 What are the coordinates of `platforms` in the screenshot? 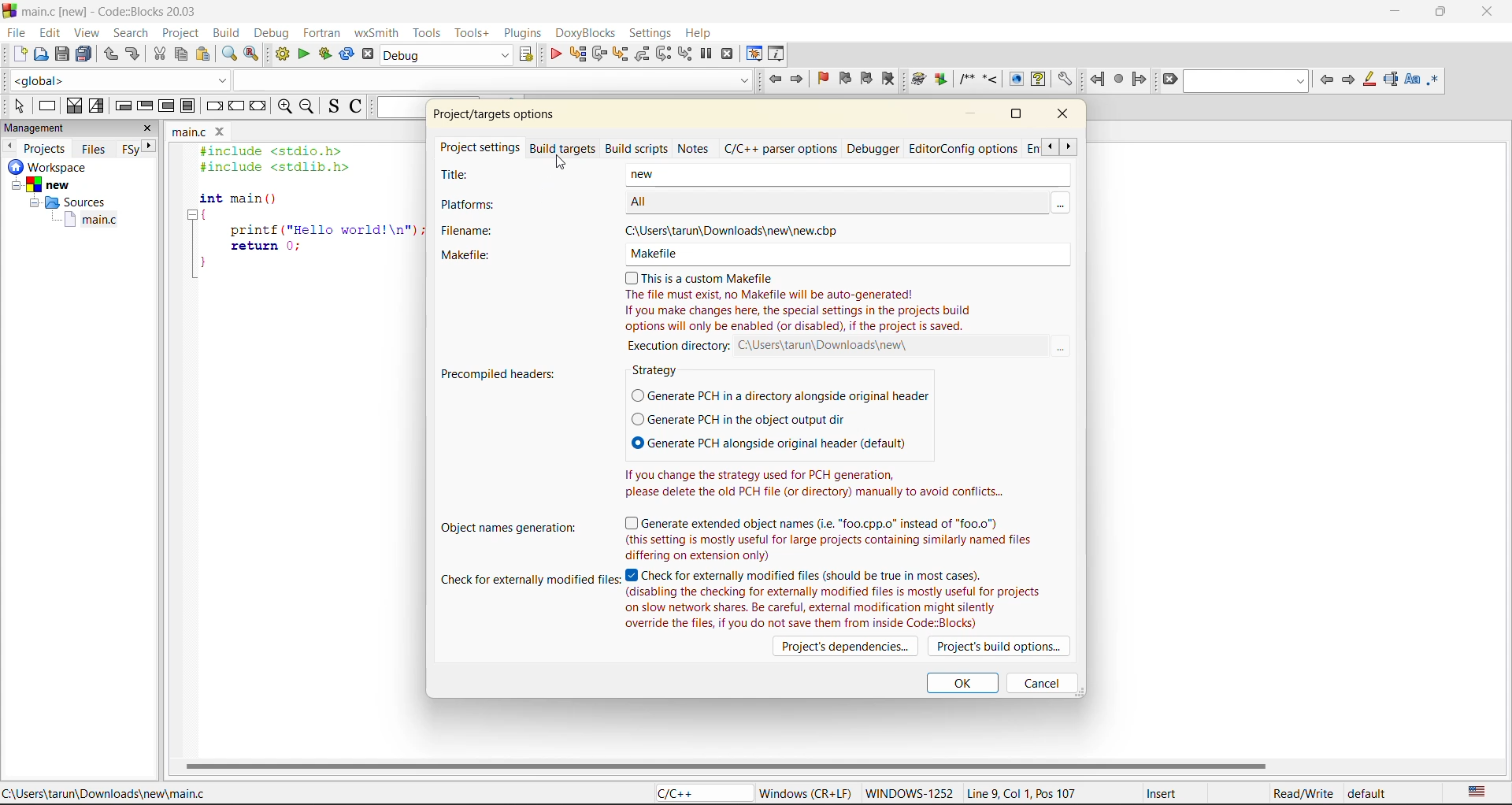 It's located at (487, 202).